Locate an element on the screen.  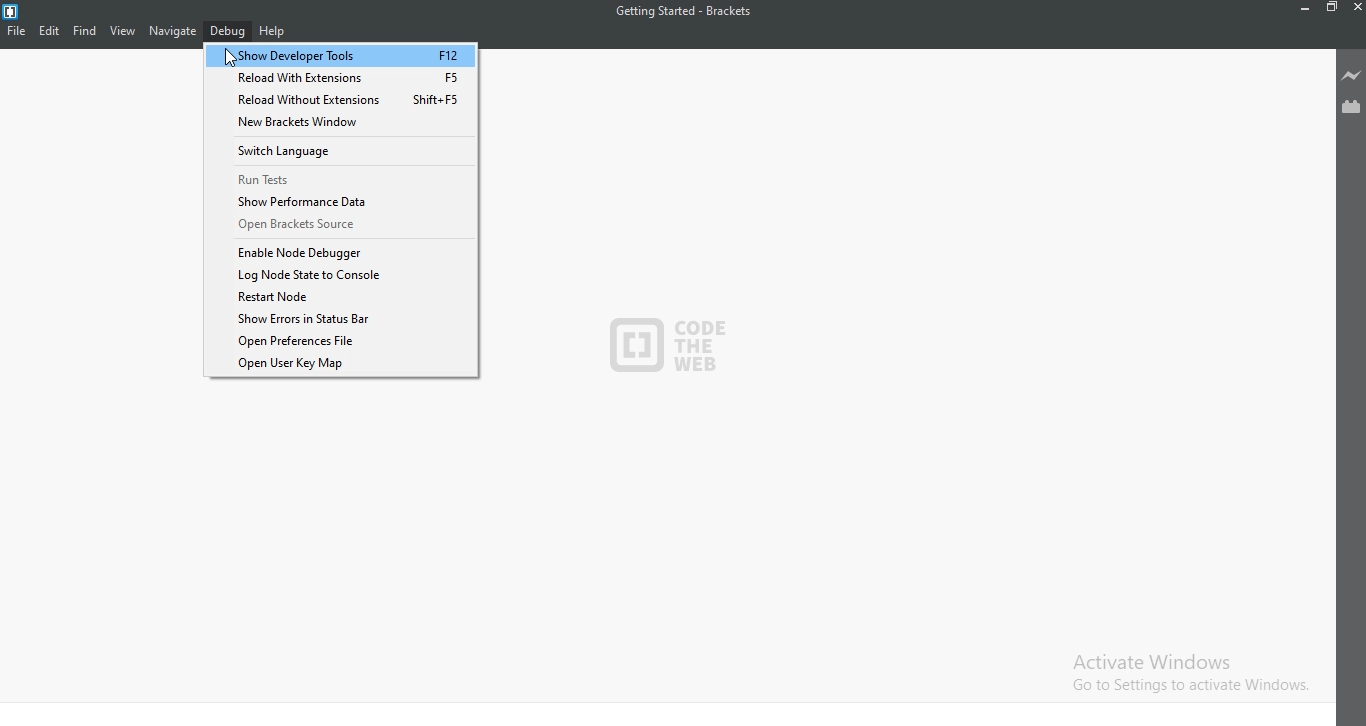
 is located at coordinates (341, 54).